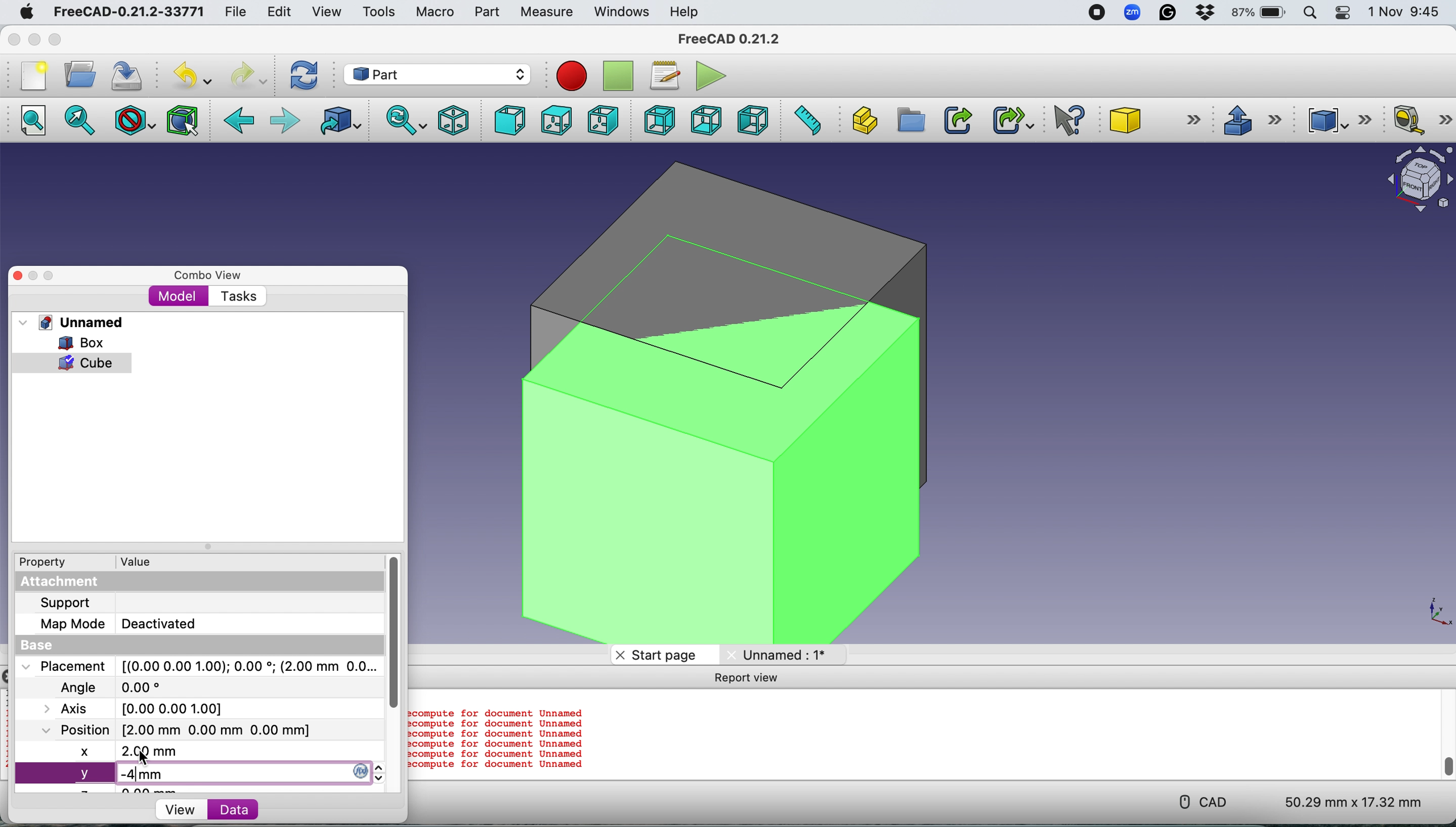 The width and height of the screenshot is (1456, 827). I want to click on System logo, so click(25, 12).